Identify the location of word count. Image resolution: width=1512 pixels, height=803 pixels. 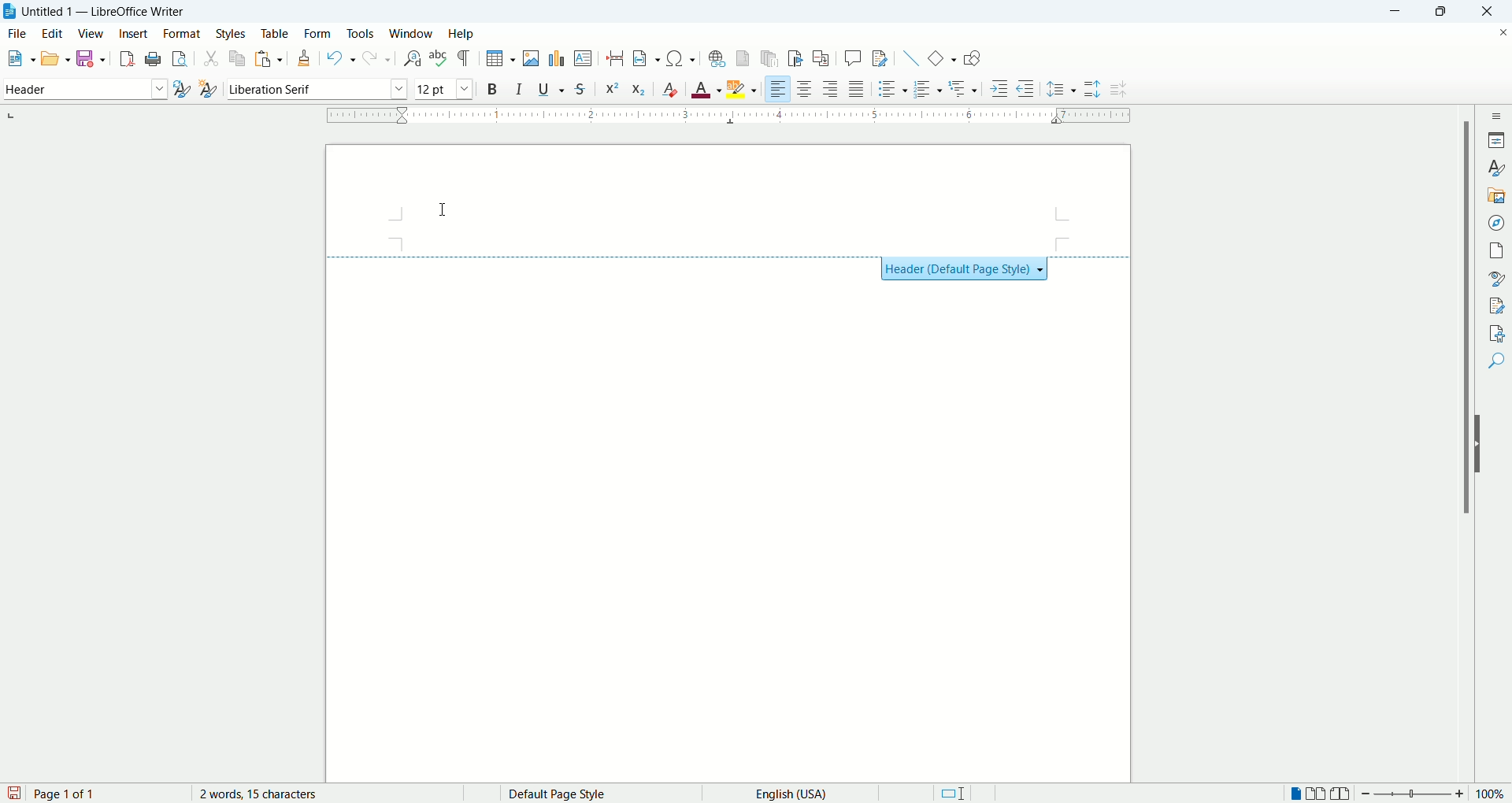
(323, 794).